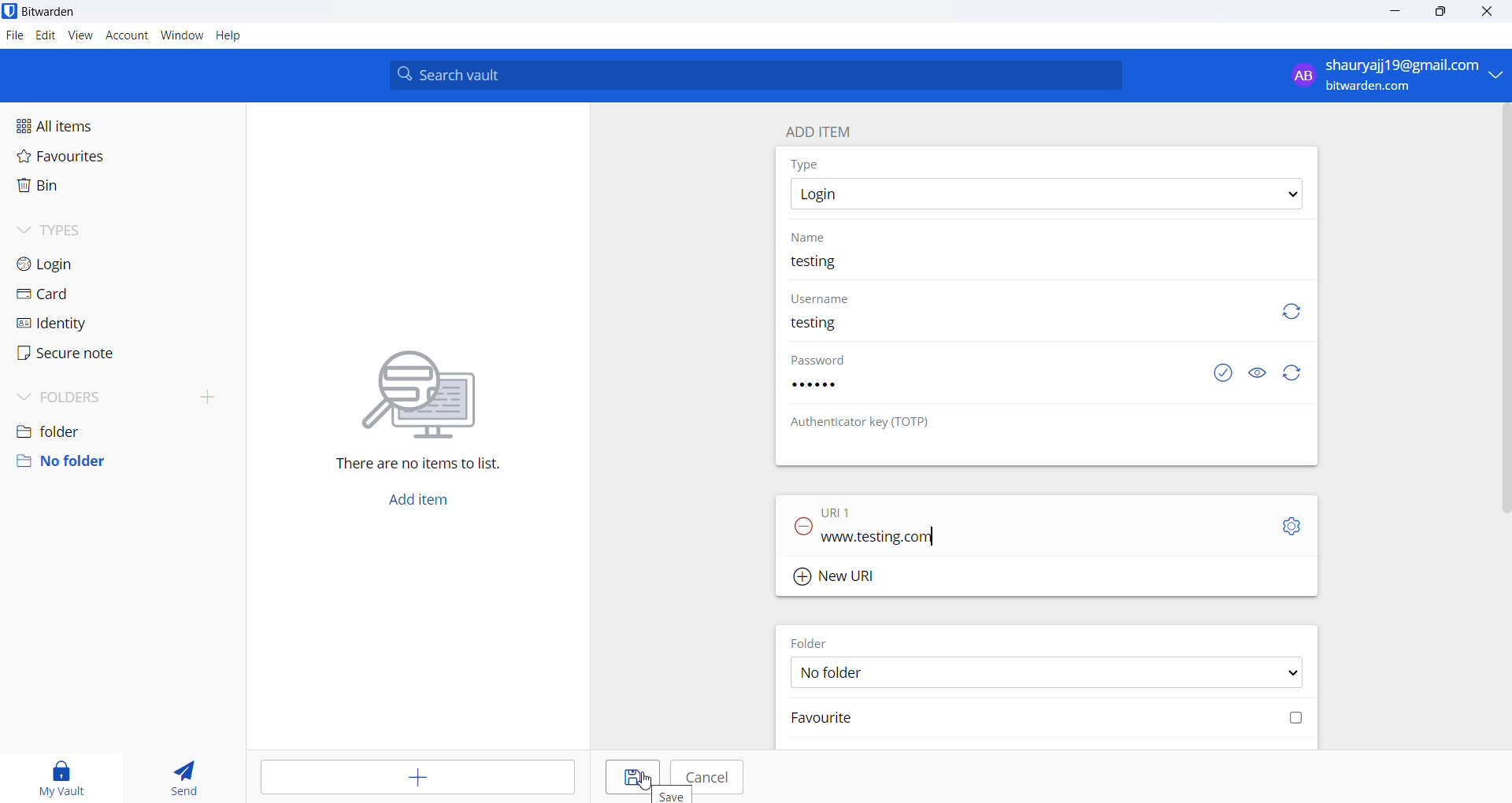 The height and width of the screenshot is (803, 1512). I want to click on refresh, so click(1292, 373).